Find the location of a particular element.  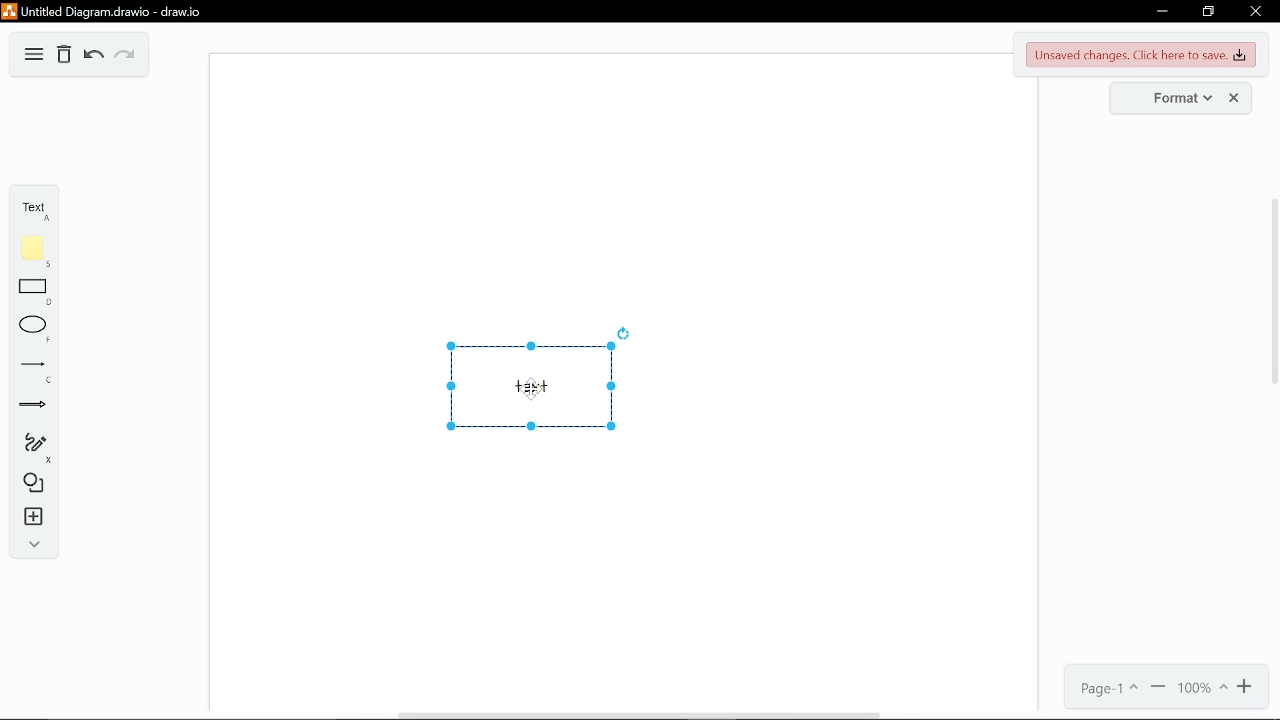

current zoom is located at coordinates (1202, 689).